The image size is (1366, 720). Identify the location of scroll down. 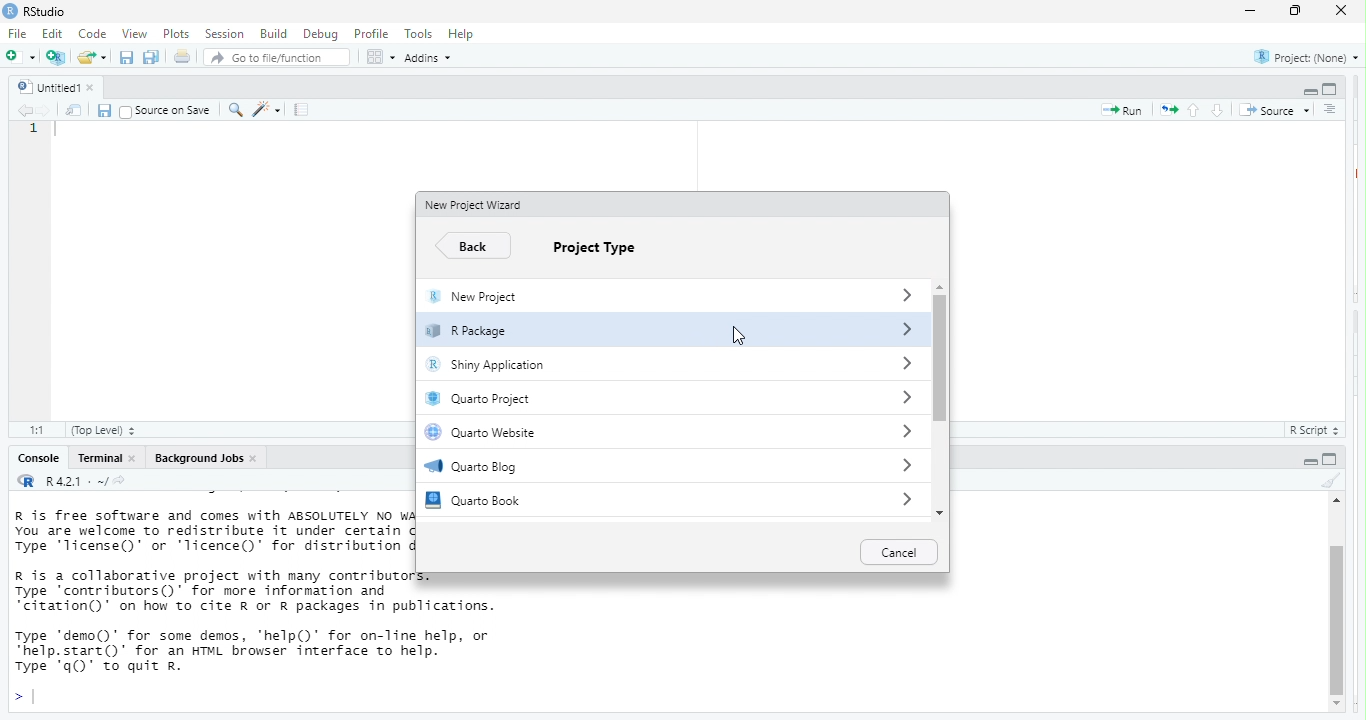
(1338, 705).